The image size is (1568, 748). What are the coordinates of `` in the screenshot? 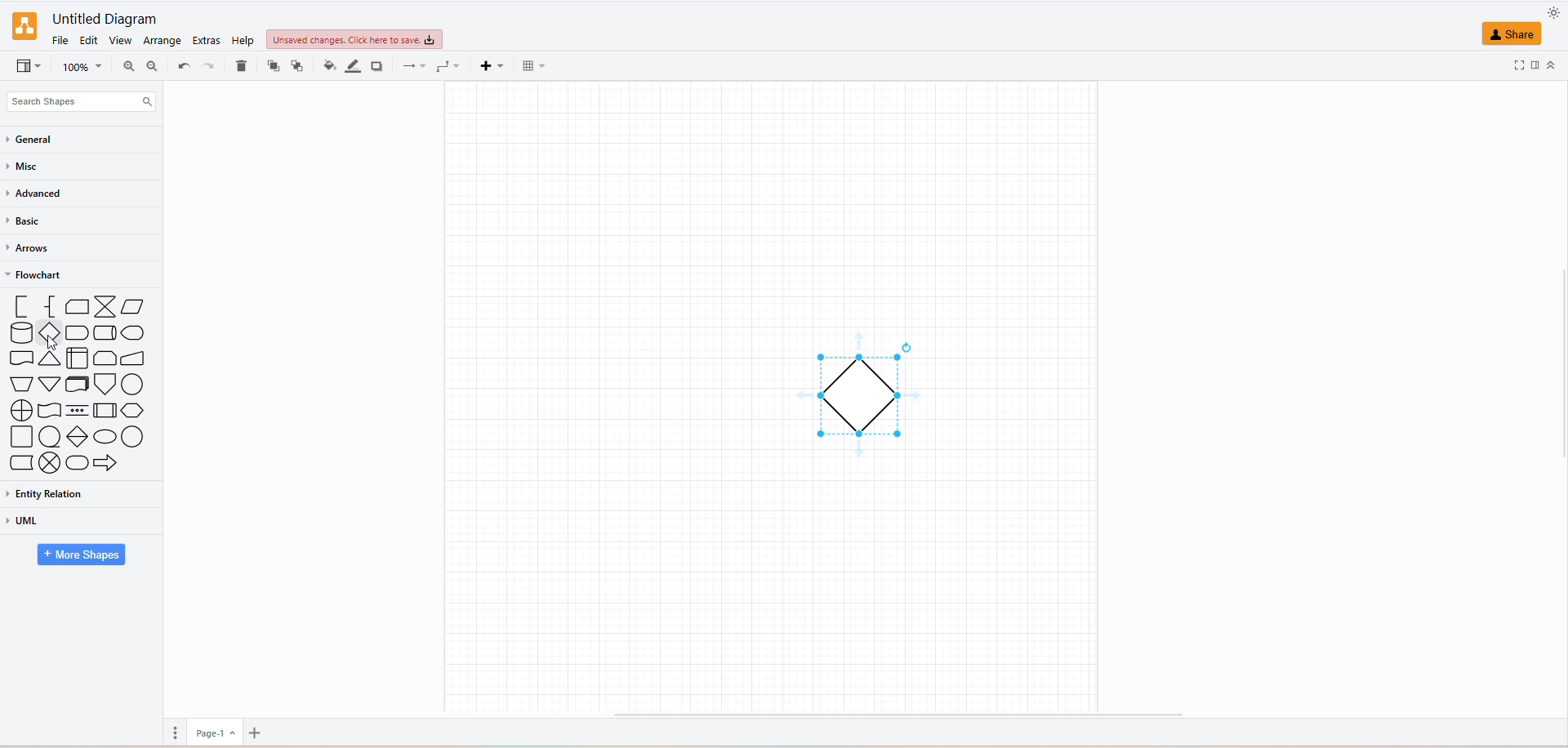 It's located at (167, 39).